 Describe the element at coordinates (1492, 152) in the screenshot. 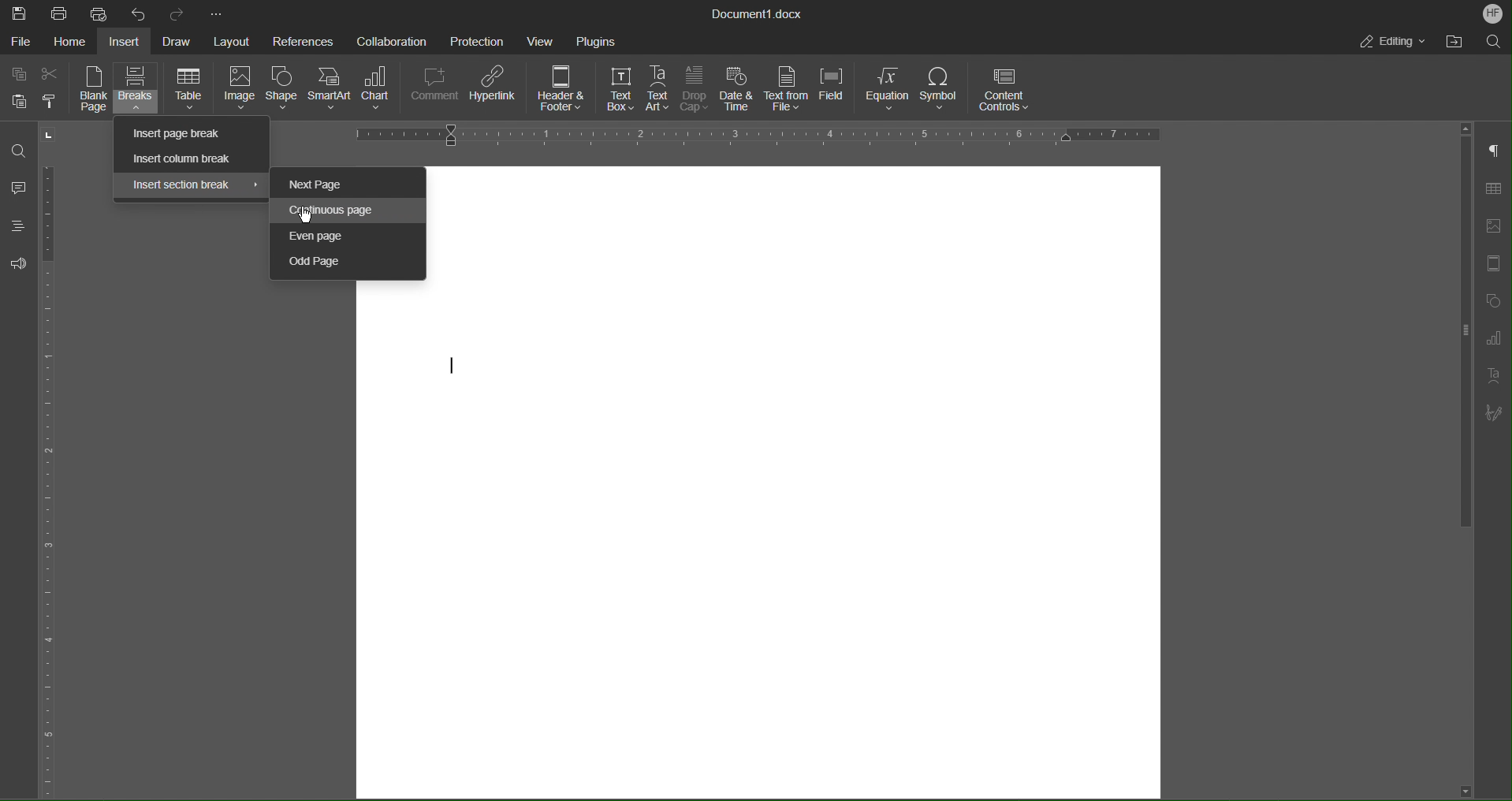

I see `Non-Printing Characters` at that location.